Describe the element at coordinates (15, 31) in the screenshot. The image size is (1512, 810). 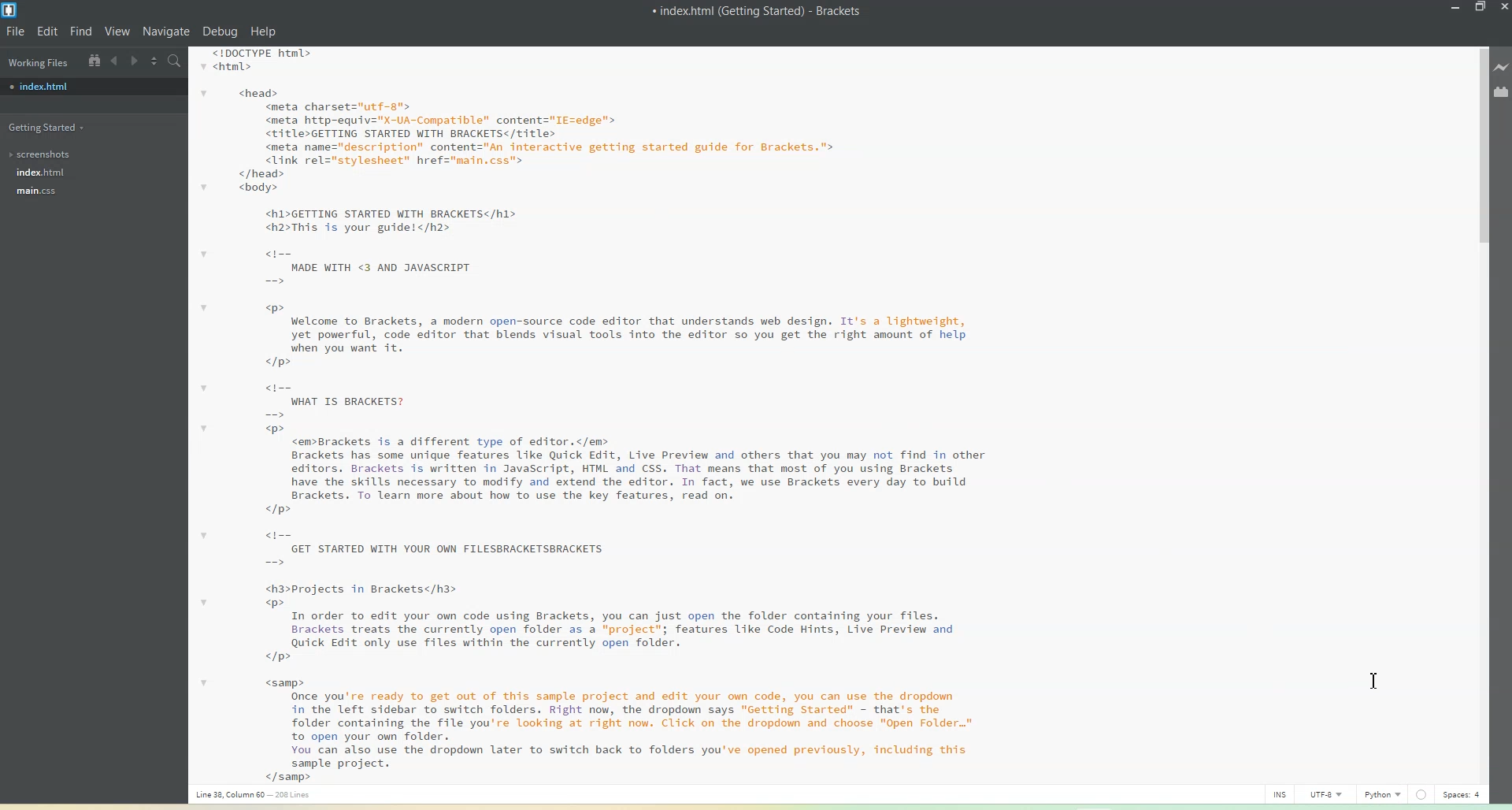
I see `File` at that location.